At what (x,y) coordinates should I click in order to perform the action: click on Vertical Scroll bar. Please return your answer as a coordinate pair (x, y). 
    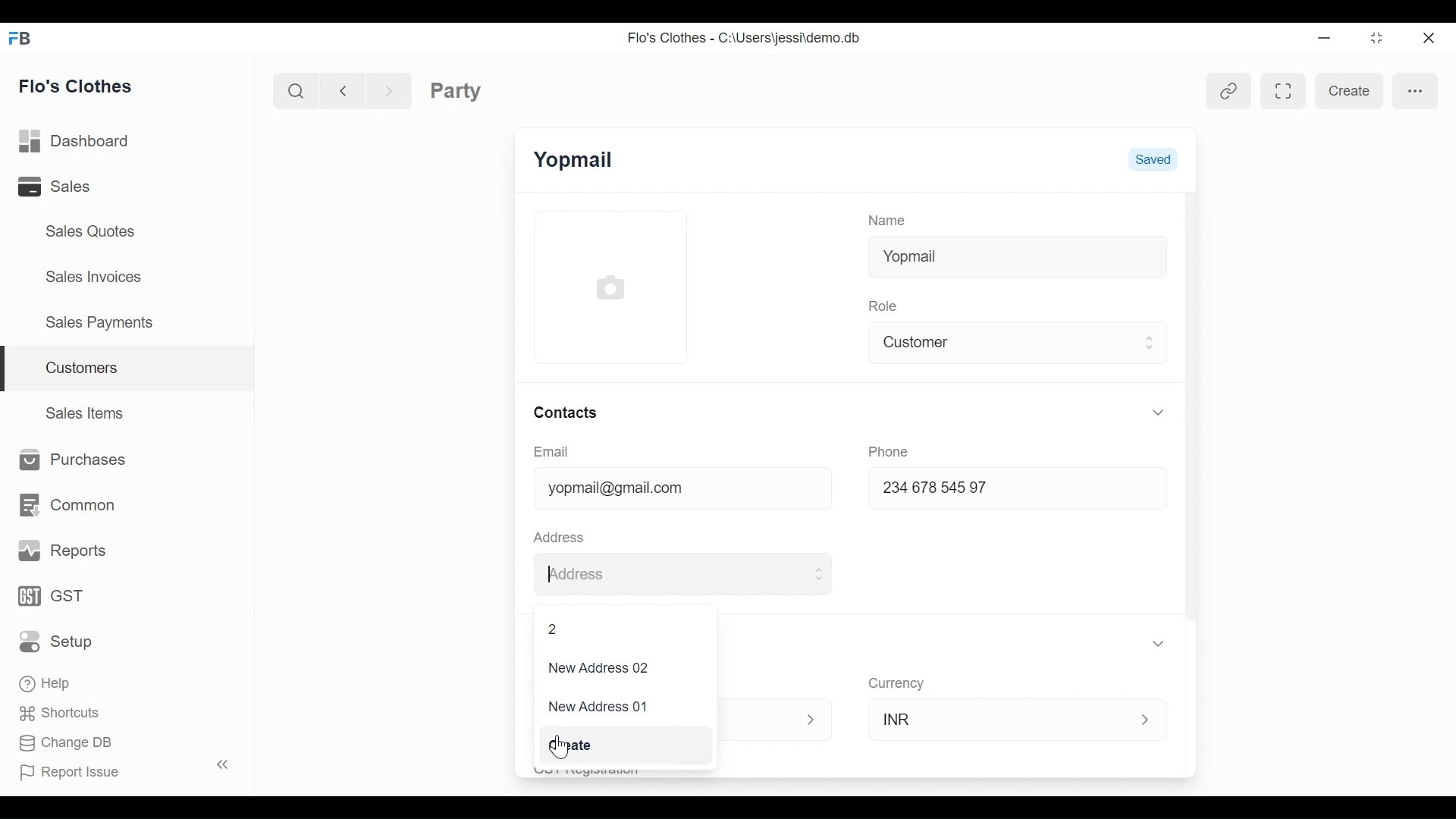
    Looking at the image, I should click on (1194, 407).